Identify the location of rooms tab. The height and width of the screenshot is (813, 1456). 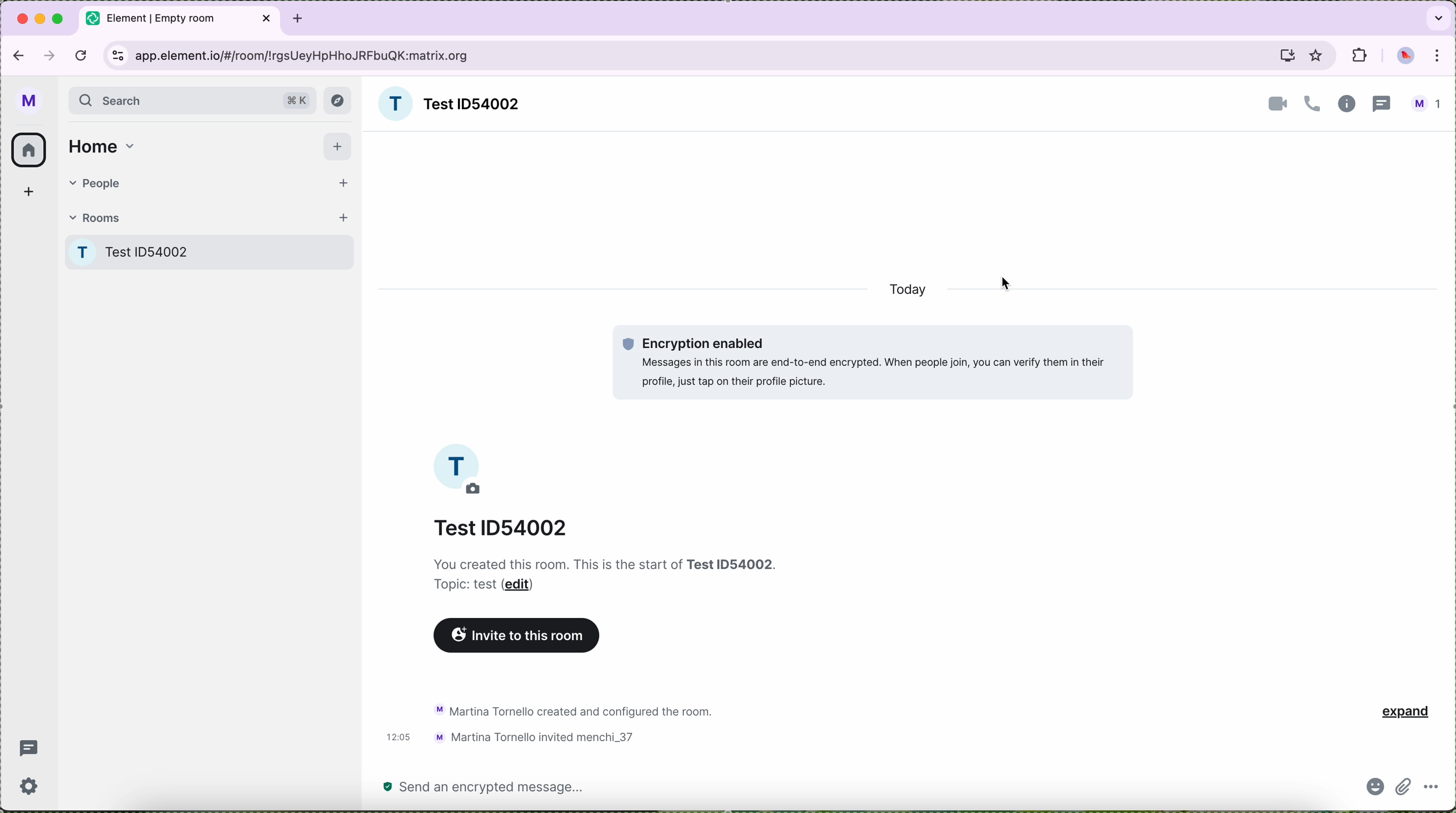
(209, 215).